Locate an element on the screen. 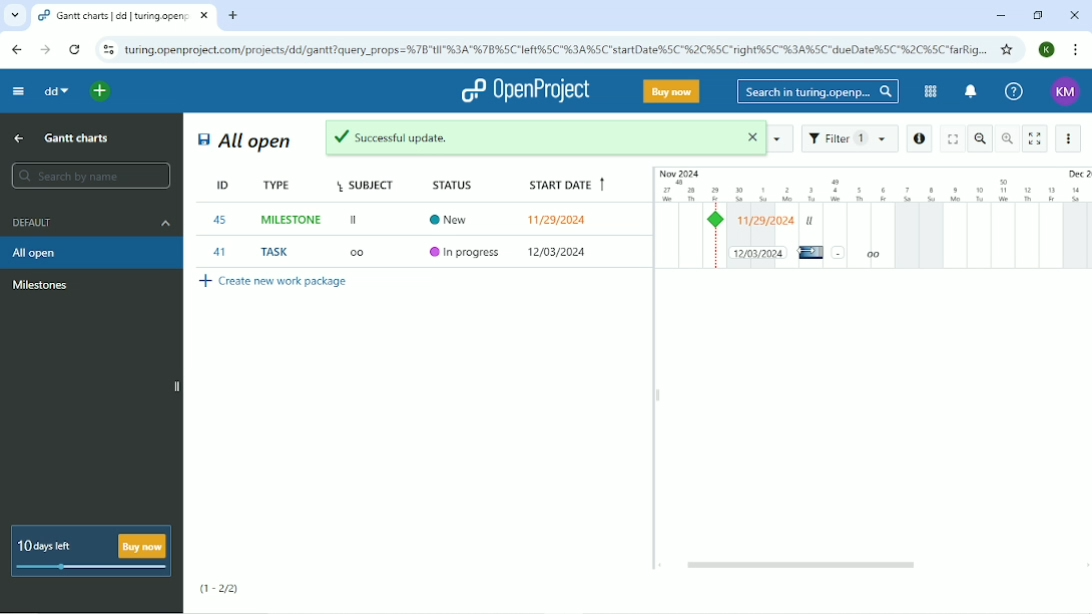 This screenshot has width=1092, height=614. Open quick add menu is located at coordinates (103, 92).